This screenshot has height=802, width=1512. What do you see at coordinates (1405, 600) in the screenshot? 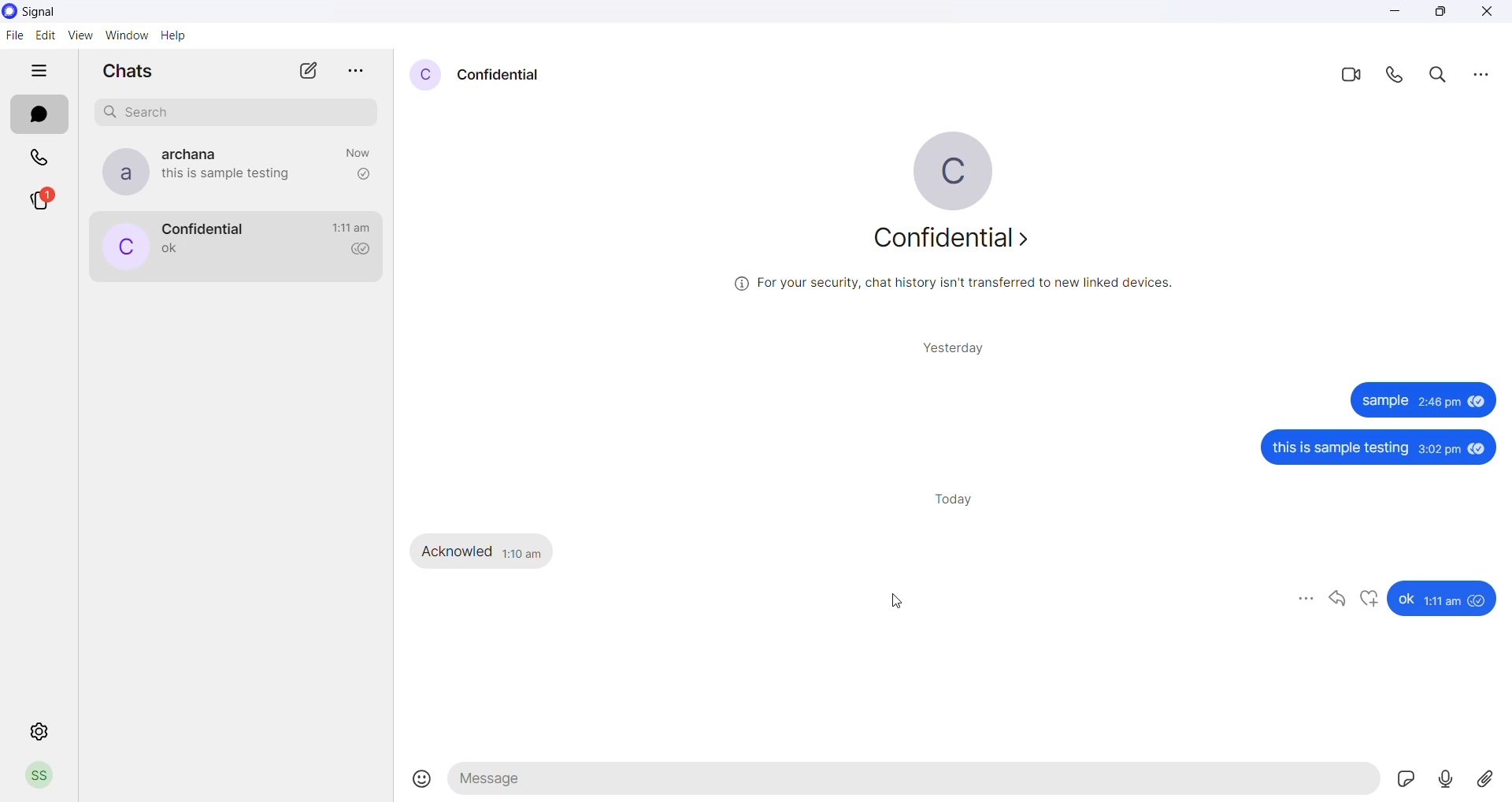
I see `ok` at bounding box center [1405, 600].